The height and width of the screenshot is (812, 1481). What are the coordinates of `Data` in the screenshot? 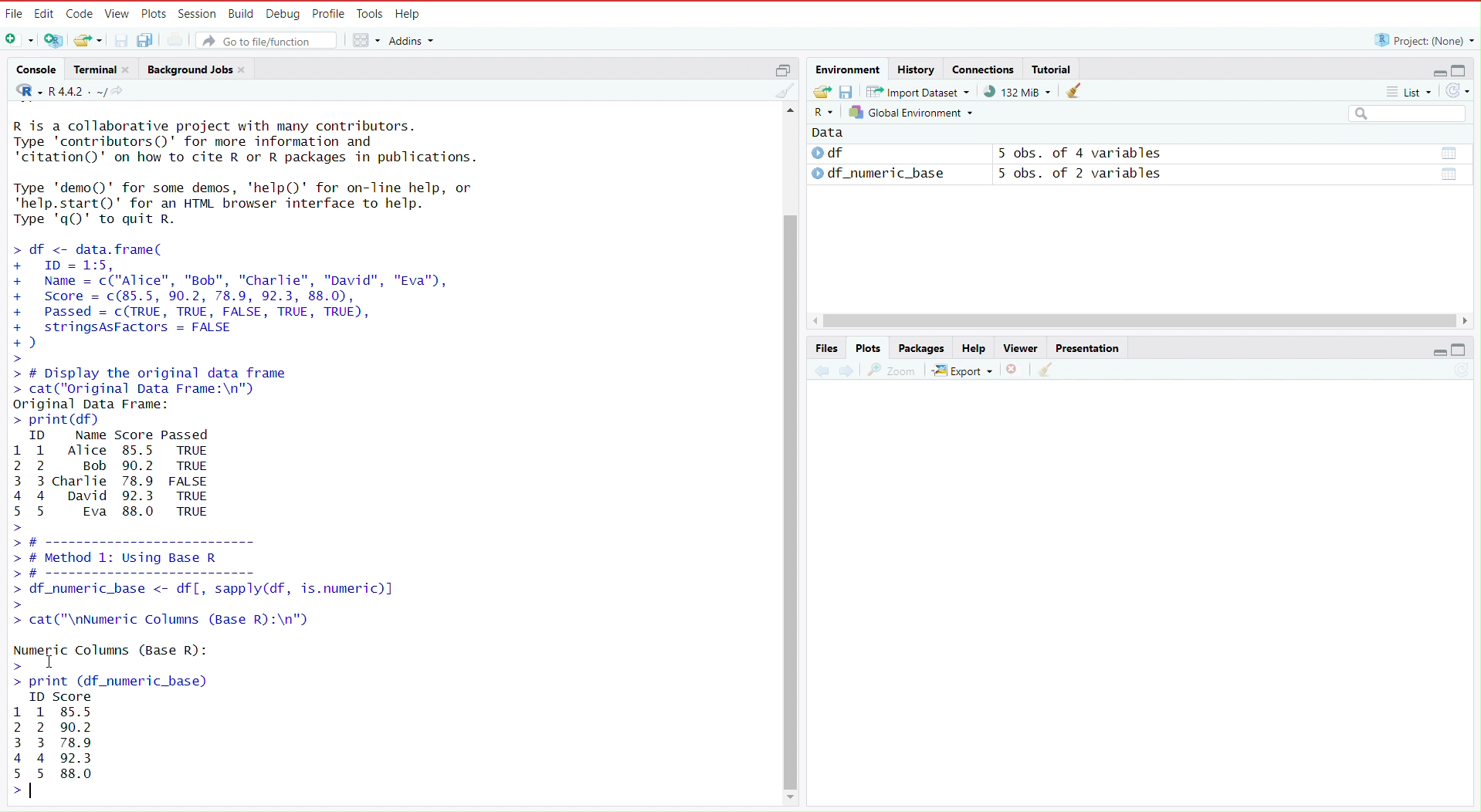 It's located at (827, 132).